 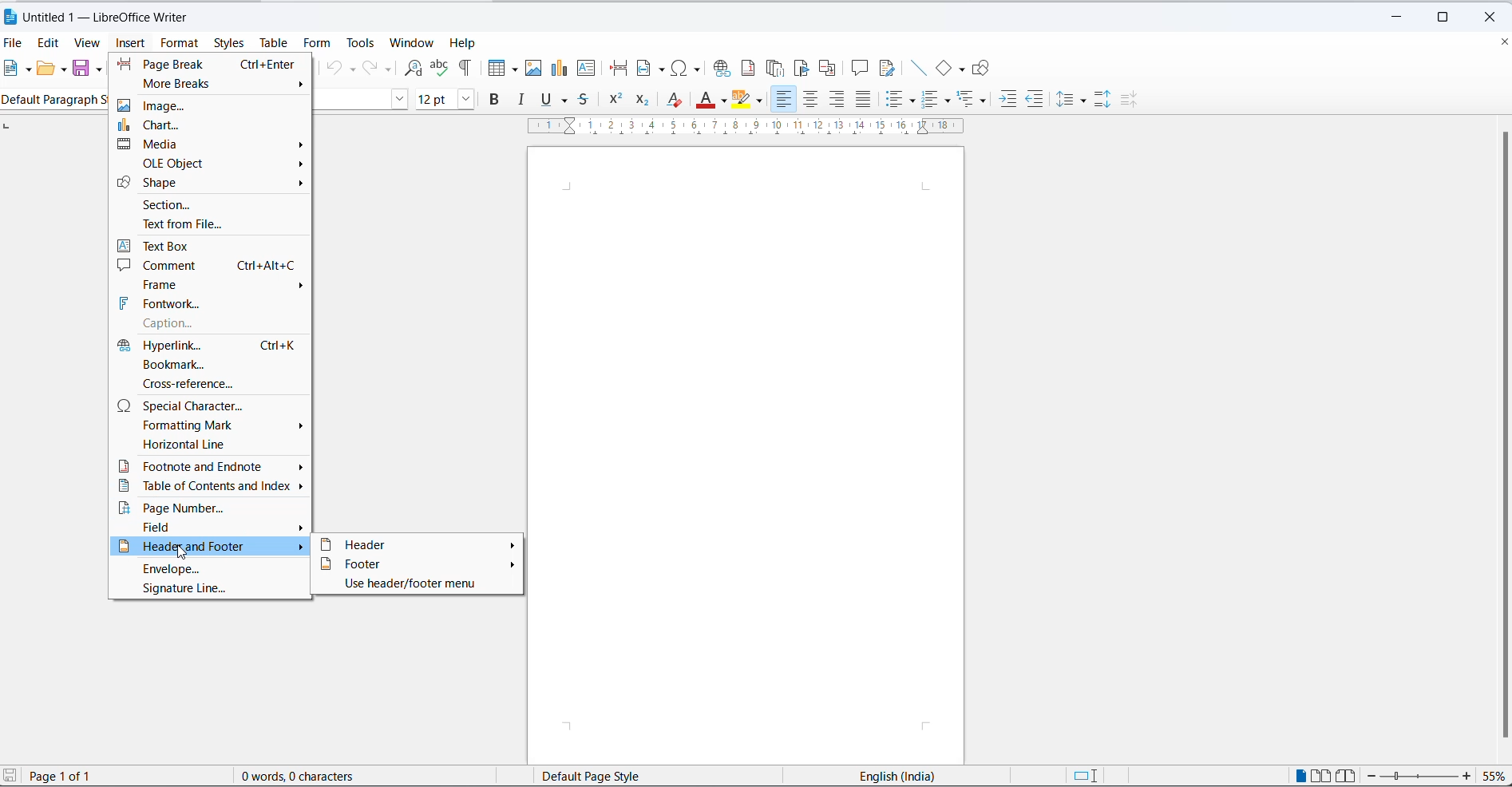 I want to click on italic, so click(x=524, y=100).